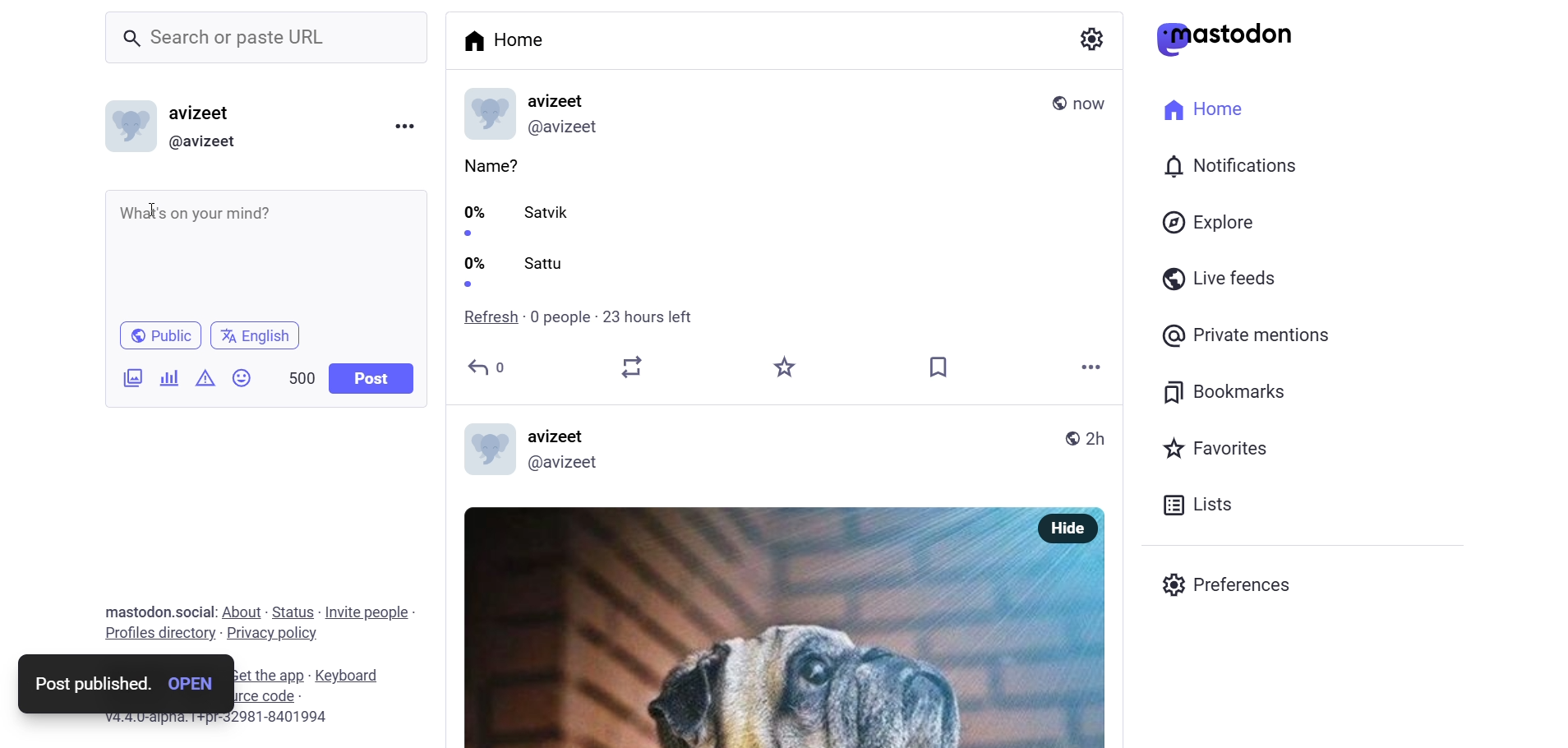  I want to click on Search or paste URL, so click(266, 38).